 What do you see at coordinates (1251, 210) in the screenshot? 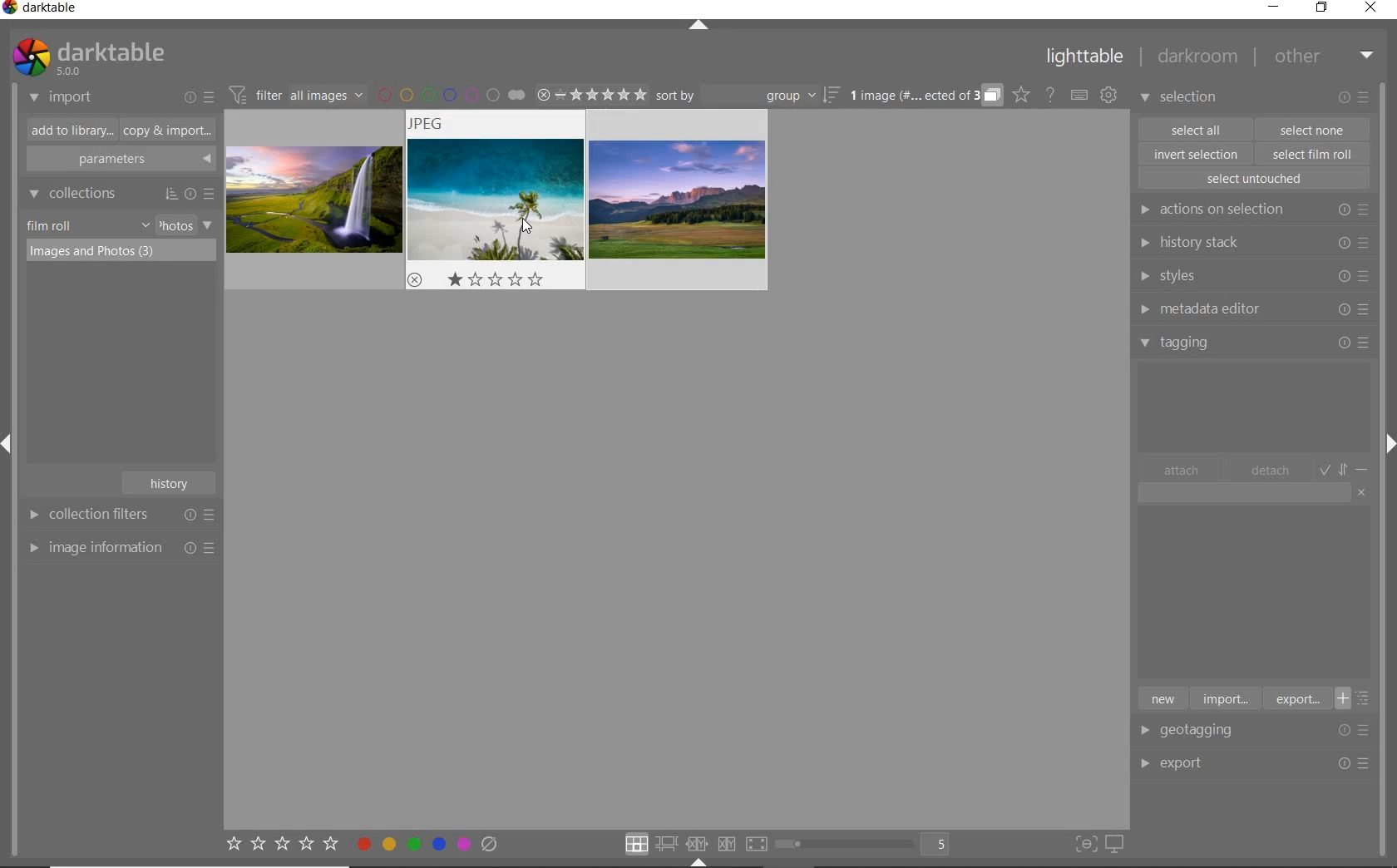
I see `actions on selection` at bounding box center [1251, 210].